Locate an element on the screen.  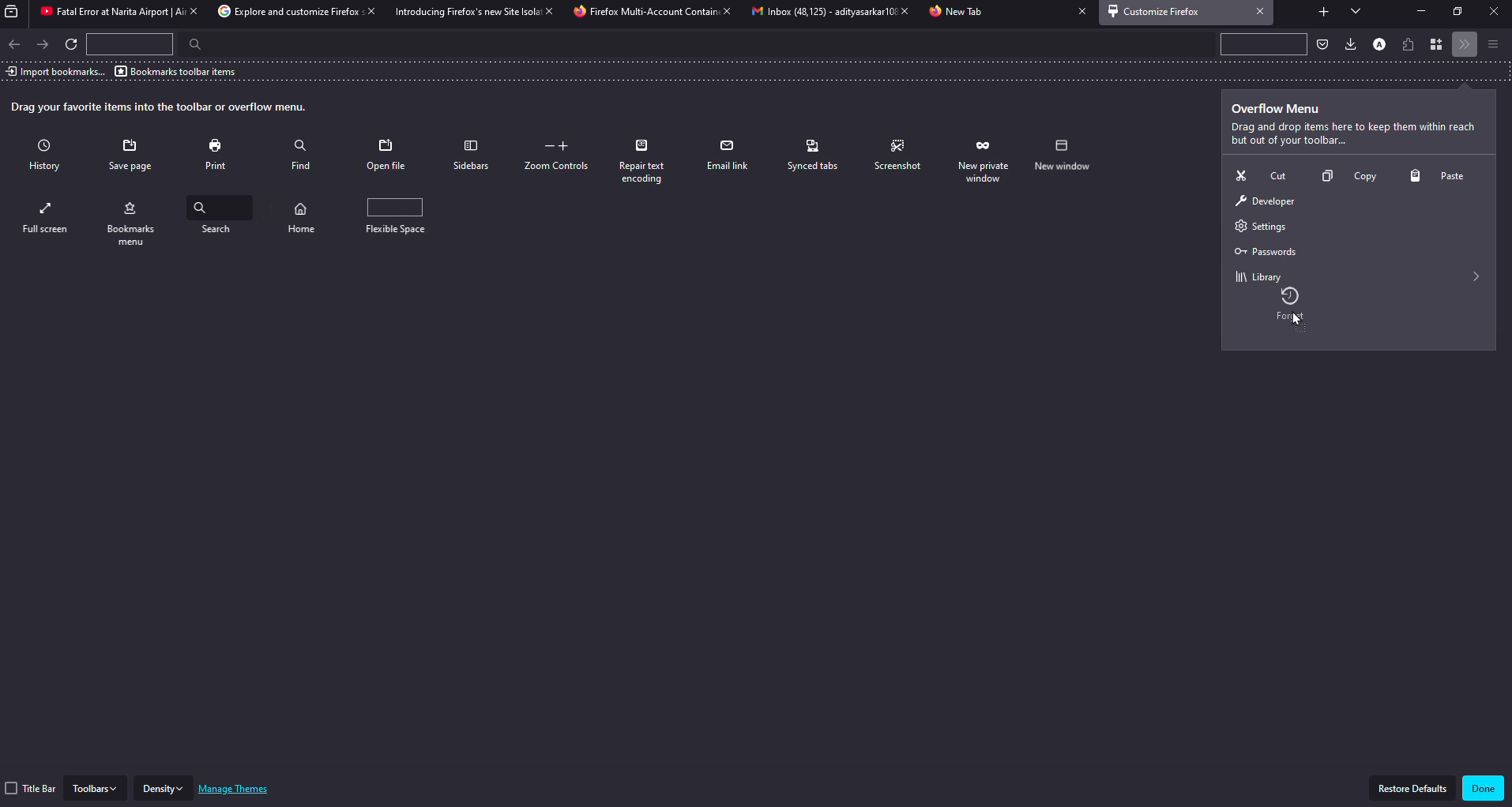
close is located at coordinates (1078, 12).